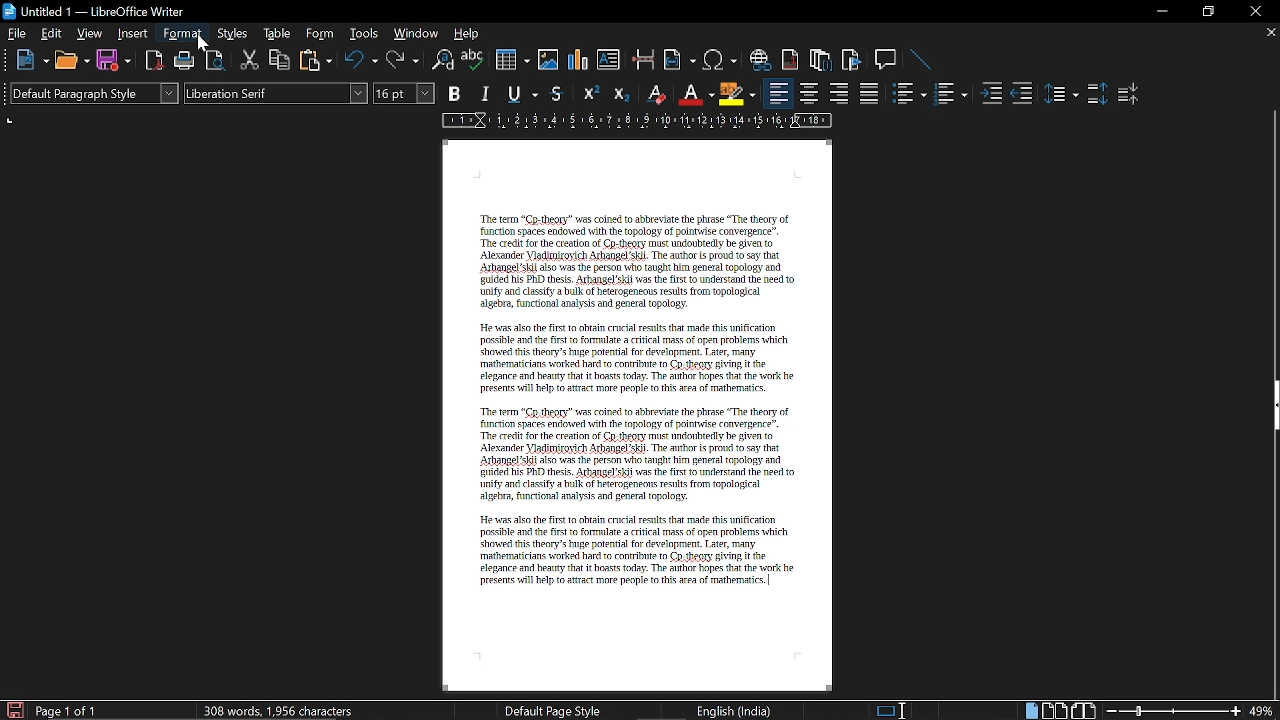  Describe the element at coordinates (1096, 93) in the screenshot. I see `Increase paragraph spacing` at that location.